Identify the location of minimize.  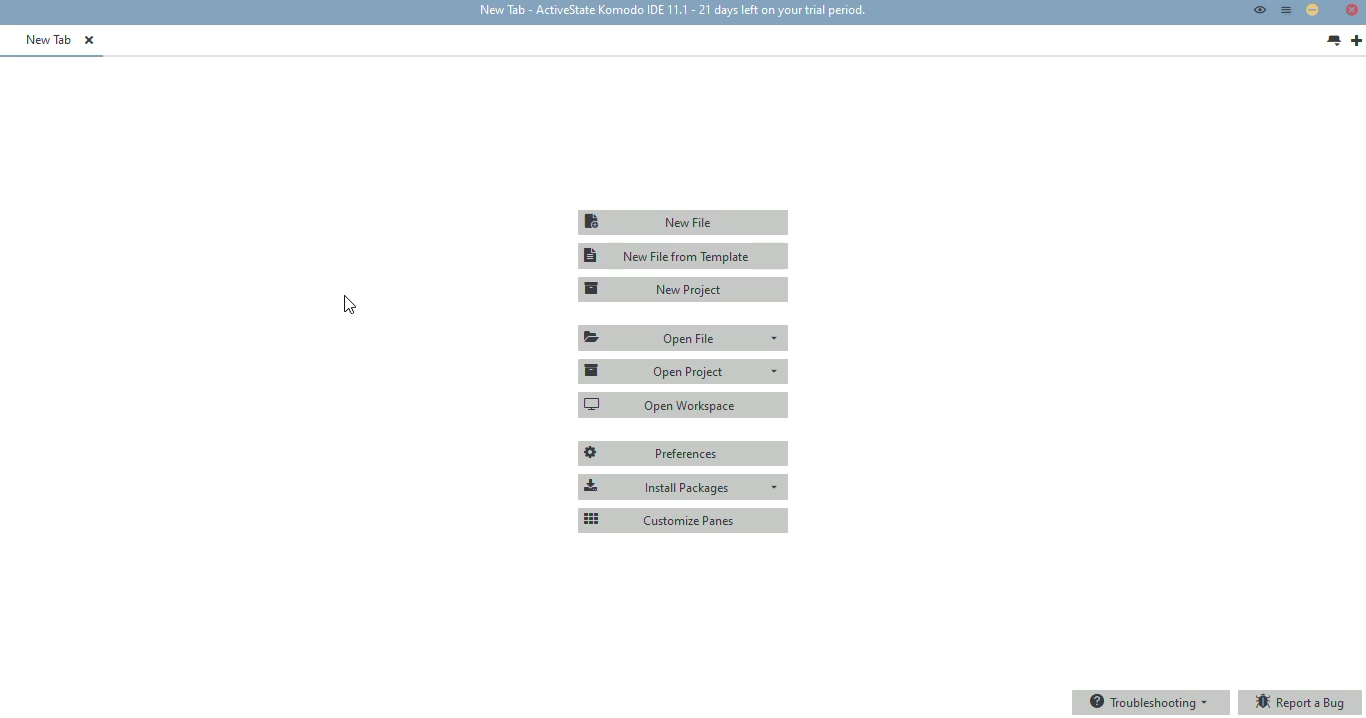
(1312, 9).